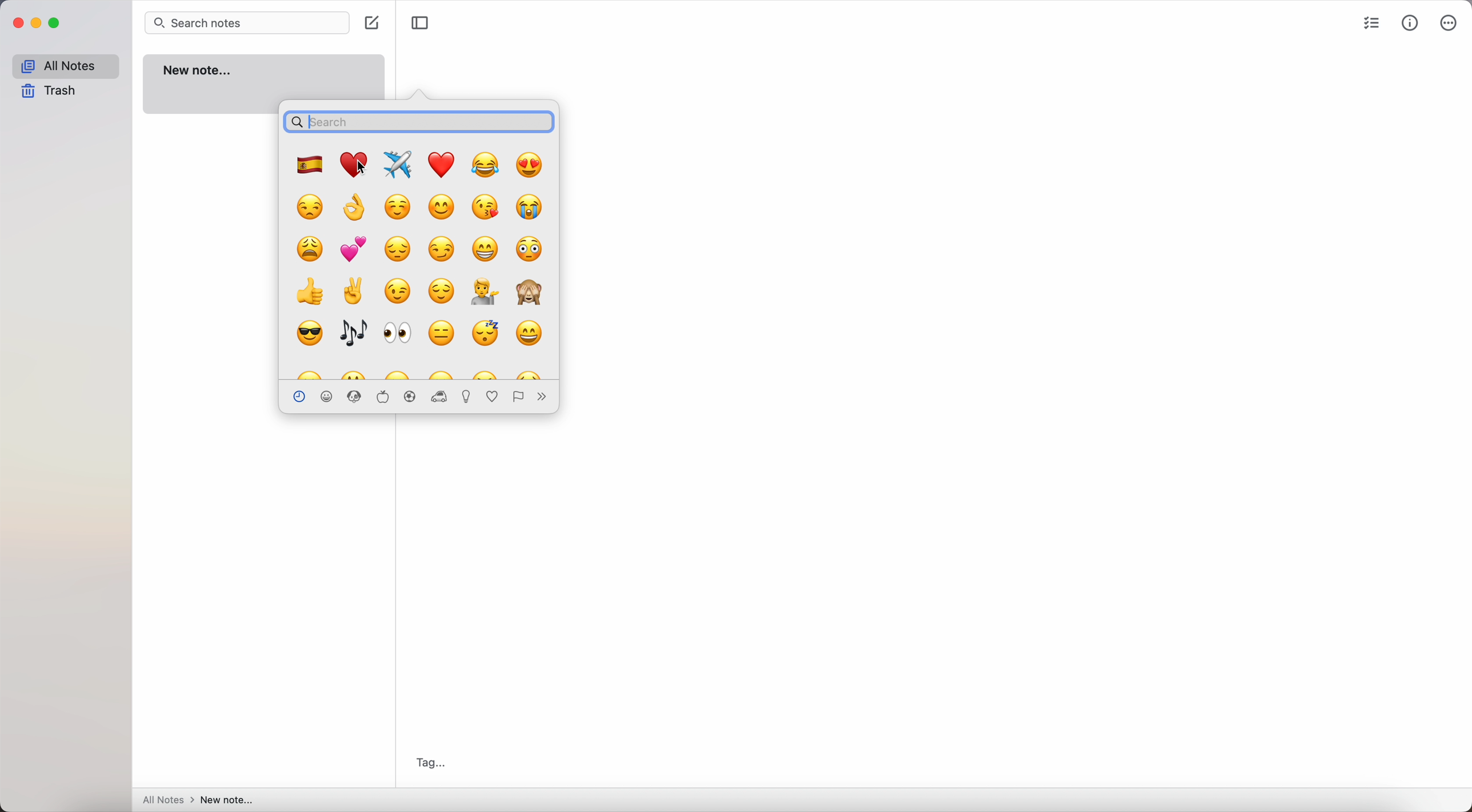 This screenshot has height=812, width=1472. I want to click on emoji, so click(399, 373).